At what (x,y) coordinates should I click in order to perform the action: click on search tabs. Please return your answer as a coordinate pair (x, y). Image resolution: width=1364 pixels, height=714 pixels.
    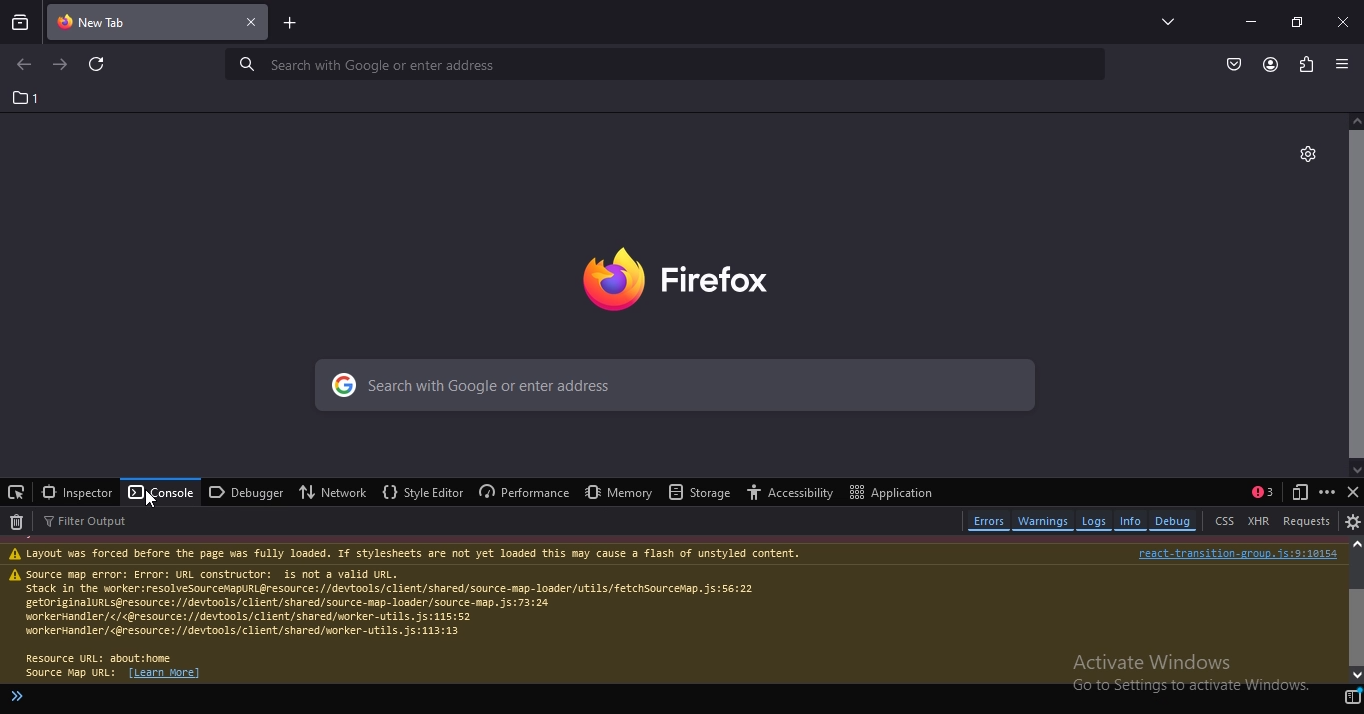
    Looking at the image, I should click on (21, 21).